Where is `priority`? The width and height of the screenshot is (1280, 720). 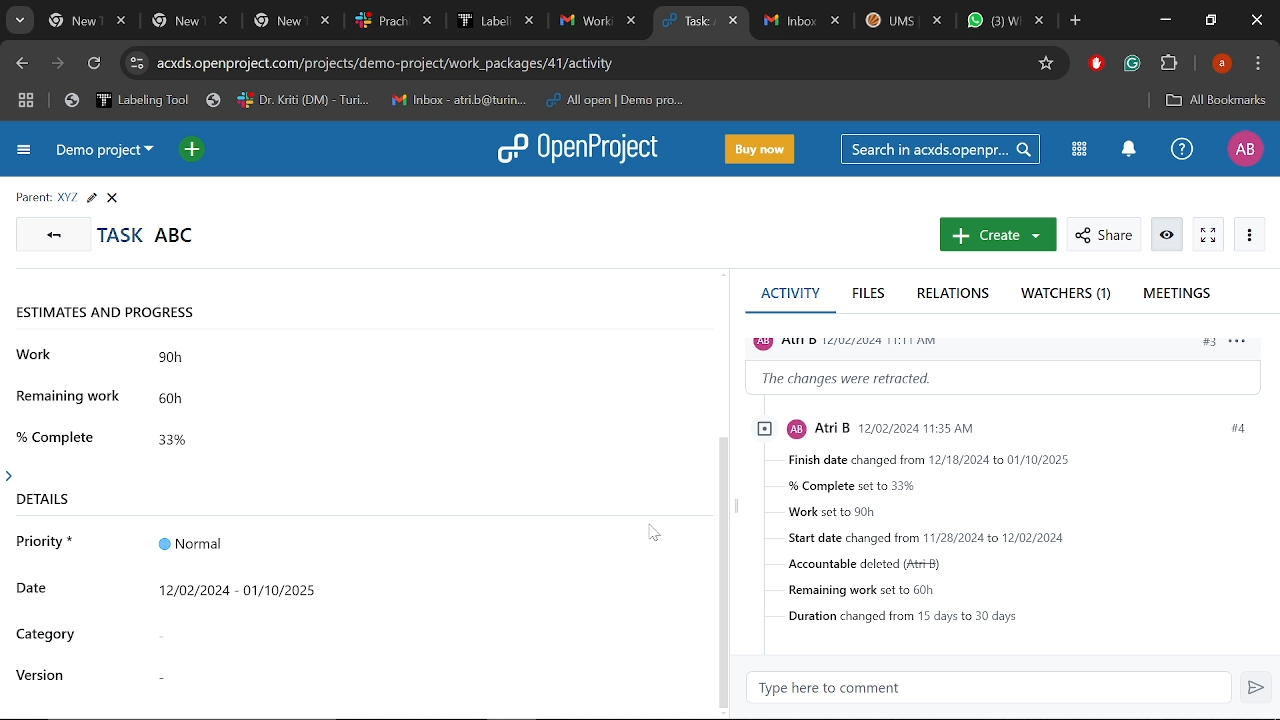
priority is located at coordinates (45, 546).